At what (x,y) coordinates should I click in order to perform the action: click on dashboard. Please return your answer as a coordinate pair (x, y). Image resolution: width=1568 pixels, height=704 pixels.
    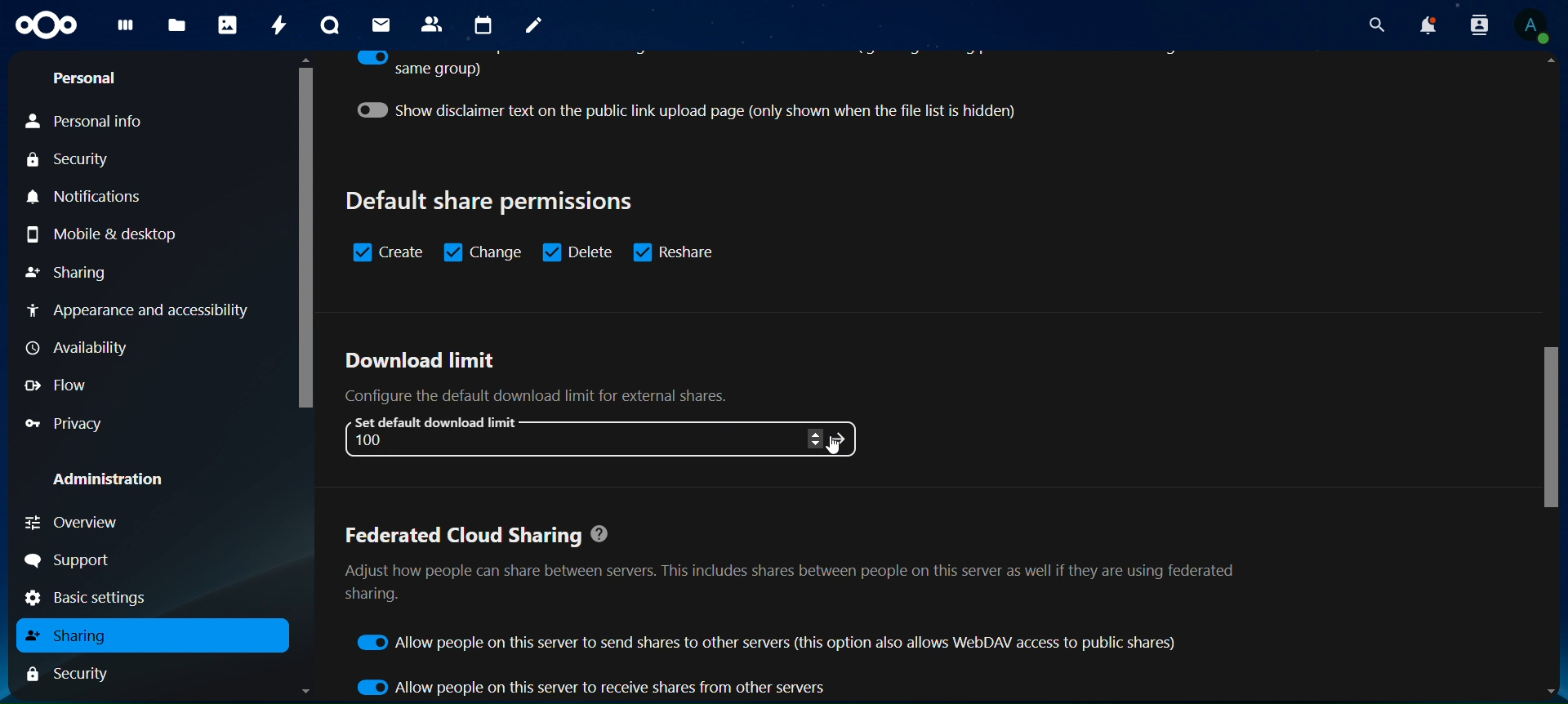
    Looking at the image, I should click on (126, 29).